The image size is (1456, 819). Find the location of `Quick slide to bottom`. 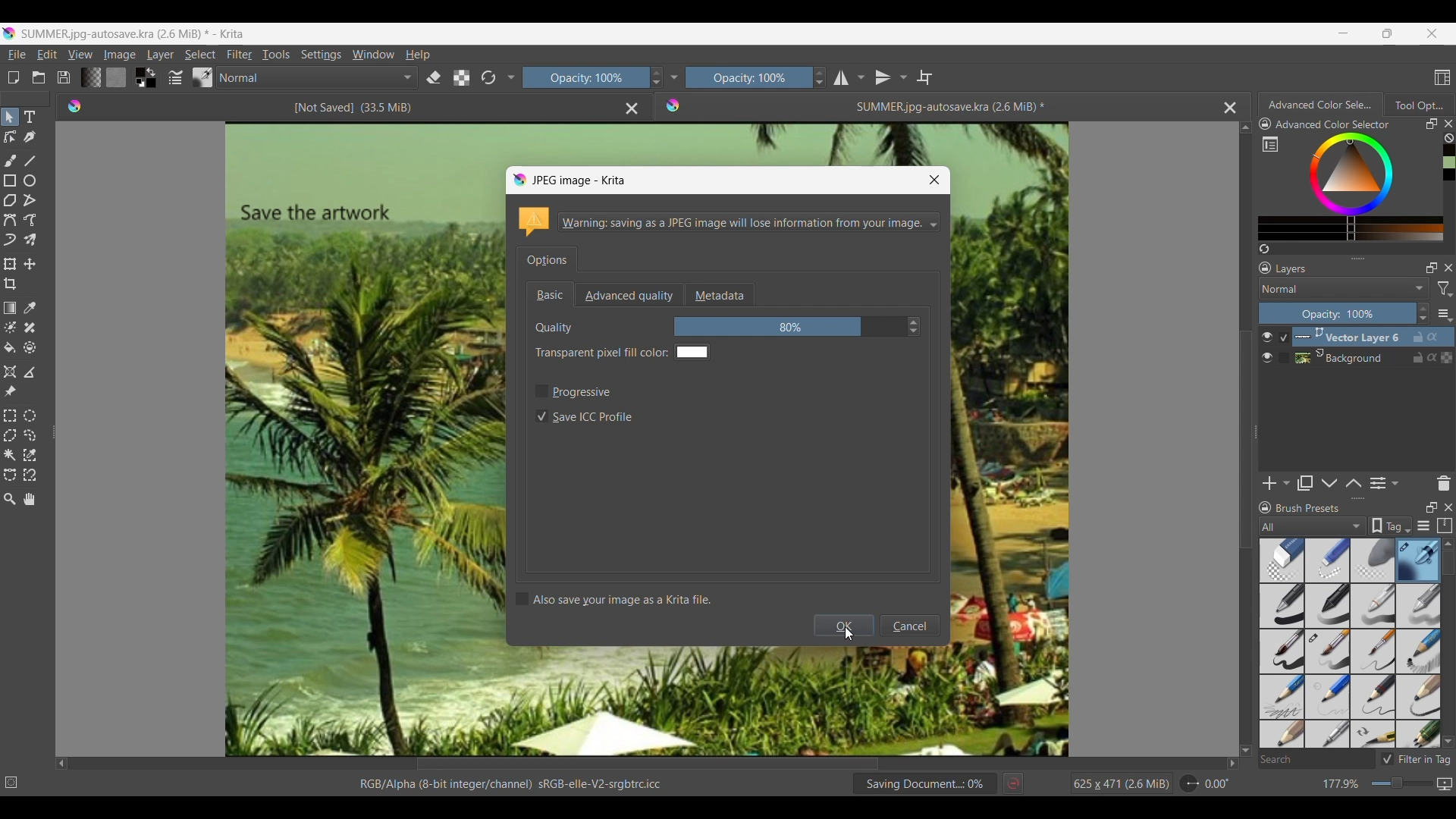

Quick slide to bottom is located at coordinates (1448, 742).